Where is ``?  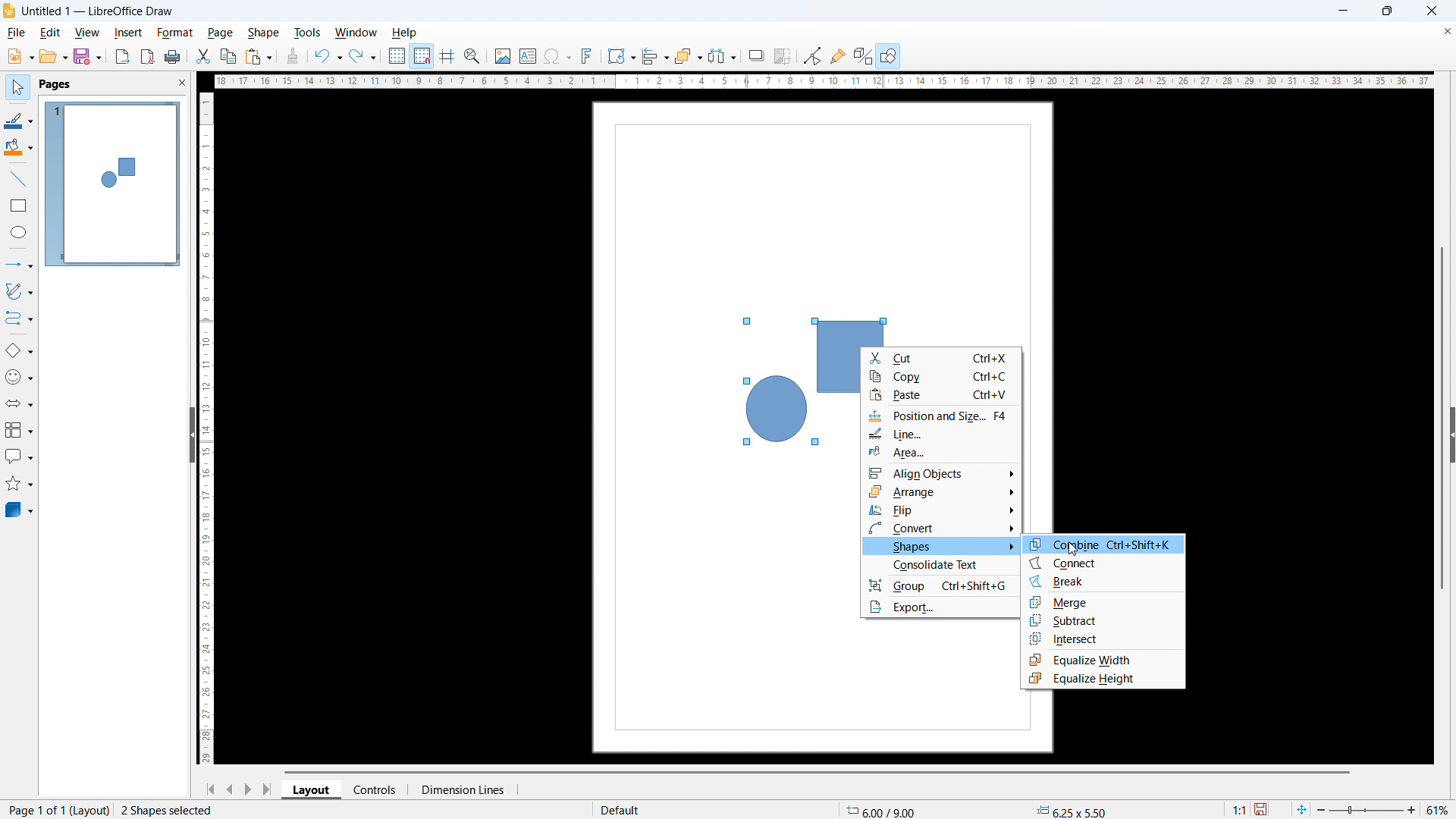  is located at coordinates (814, 57).